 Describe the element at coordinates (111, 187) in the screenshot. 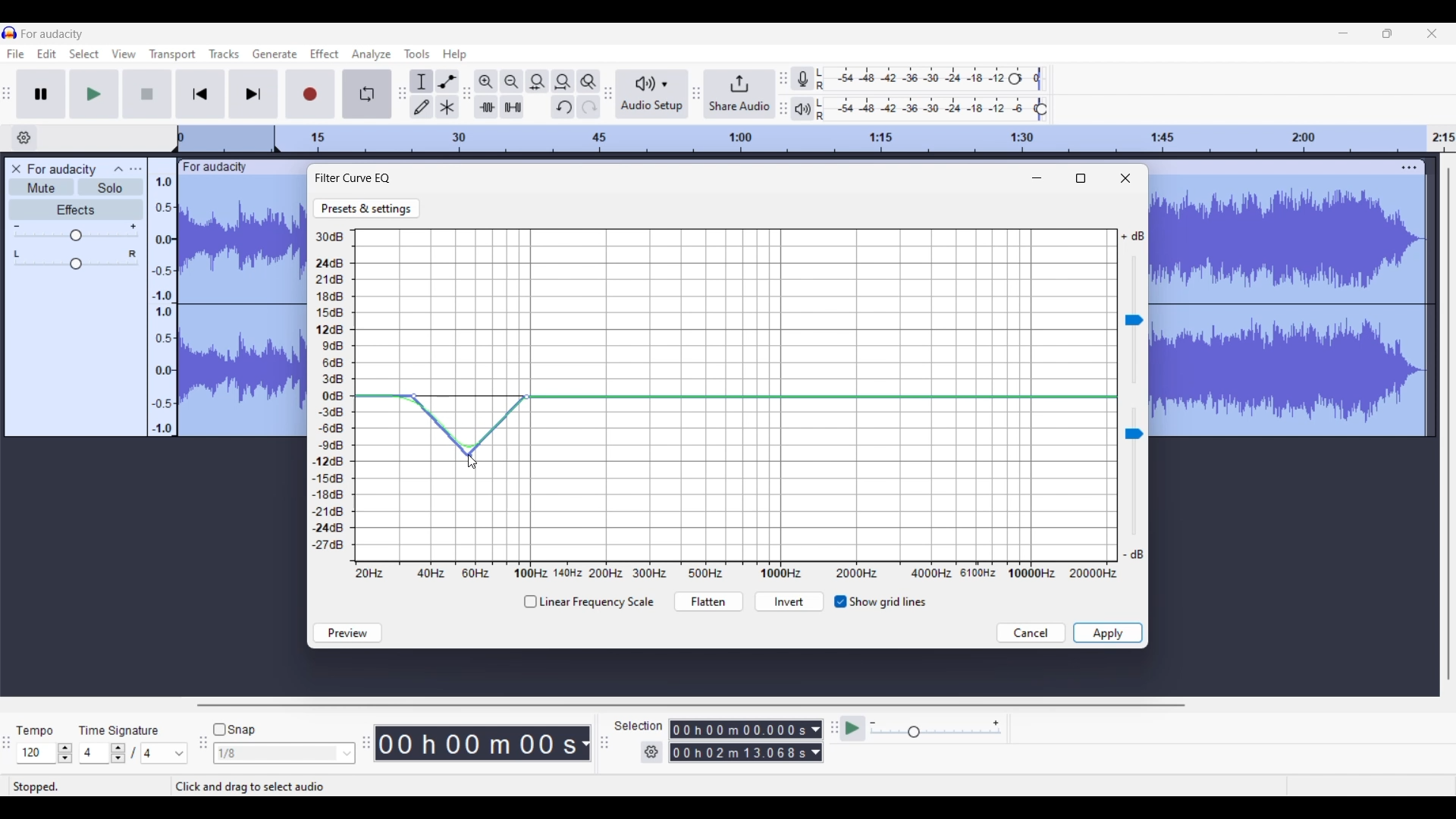

I see `Solo` at that location.